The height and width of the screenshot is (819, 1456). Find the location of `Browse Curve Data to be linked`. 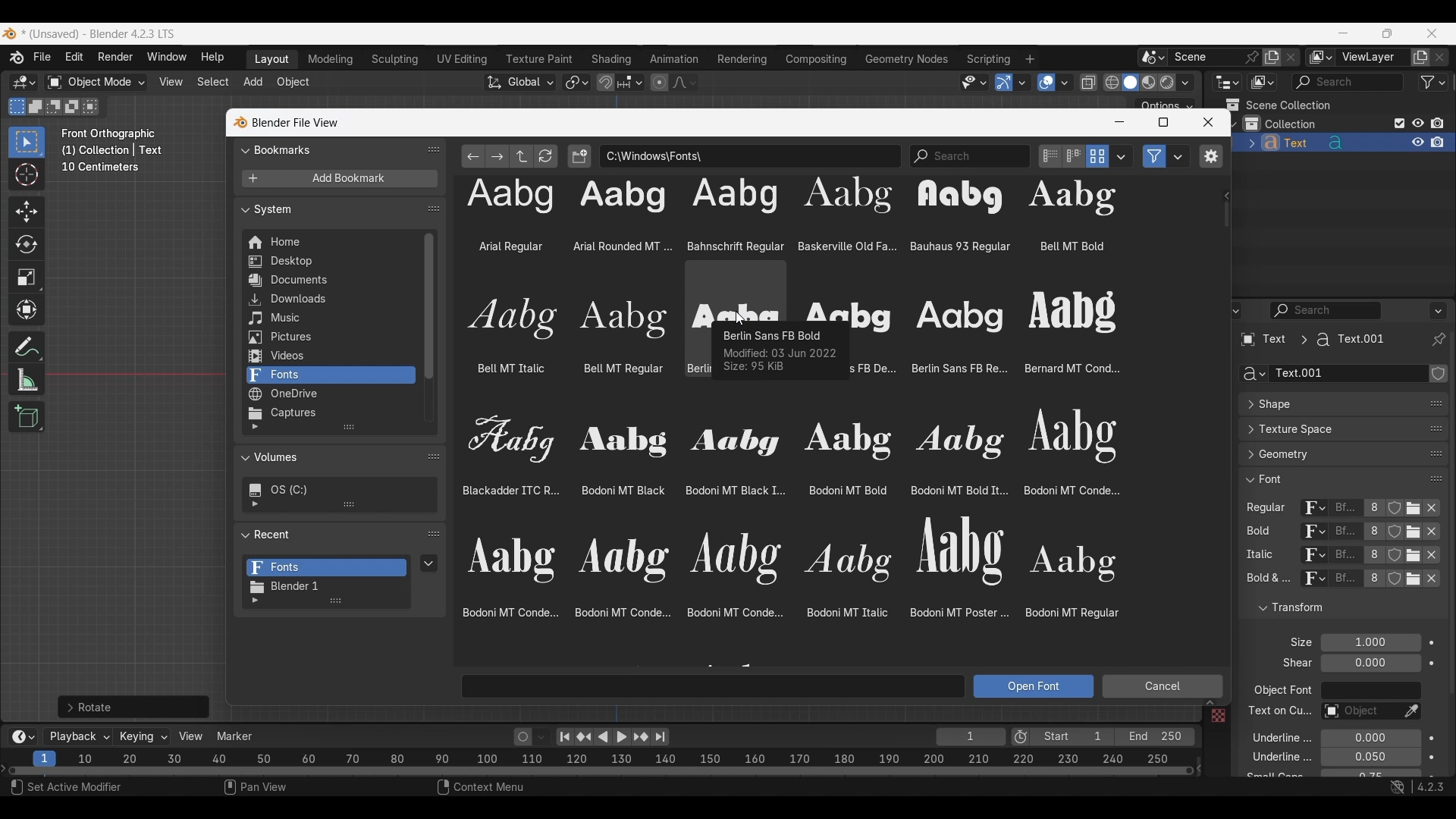

Browse Curve Data to be linked is located at coordinates (1254, 374).